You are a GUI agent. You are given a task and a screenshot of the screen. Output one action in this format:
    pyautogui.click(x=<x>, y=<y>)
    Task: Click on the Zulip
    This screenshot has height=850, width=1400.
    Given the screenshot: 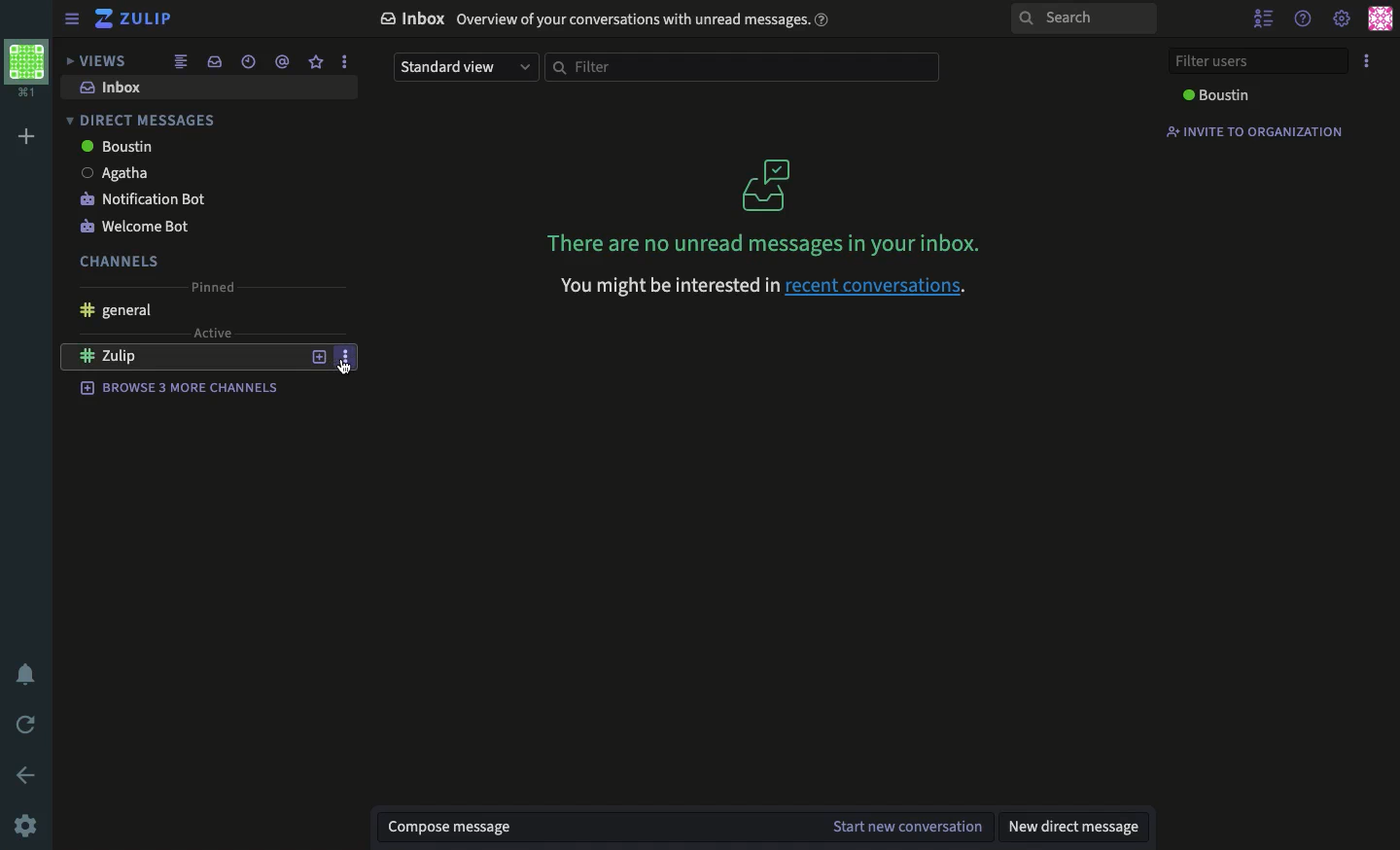 What is the action you would take?
    pyautogui.click(x=137, y=19)
    